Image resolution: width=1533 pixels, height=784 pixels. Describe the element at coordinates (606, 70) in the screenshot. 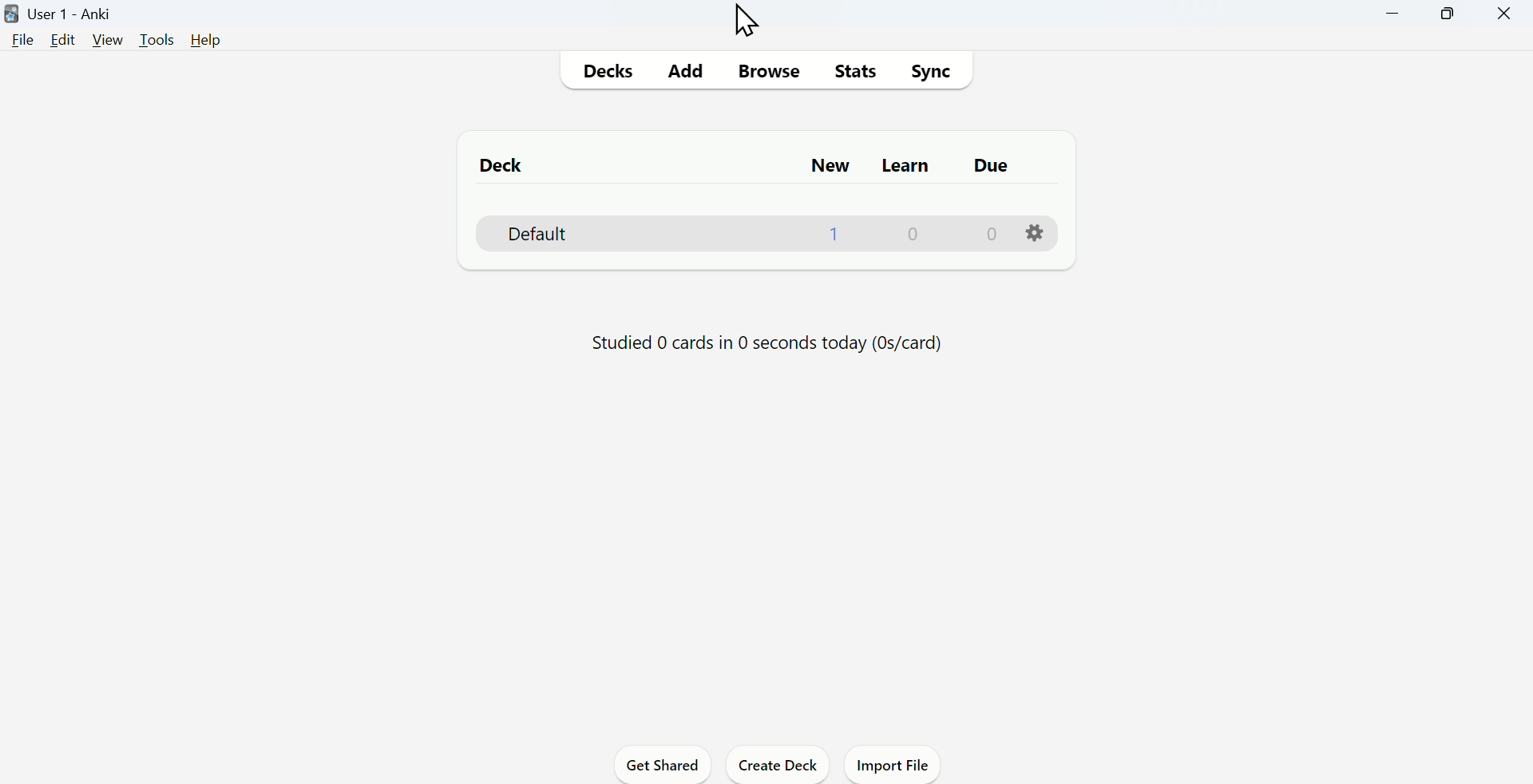

I see `Decks` at that location.